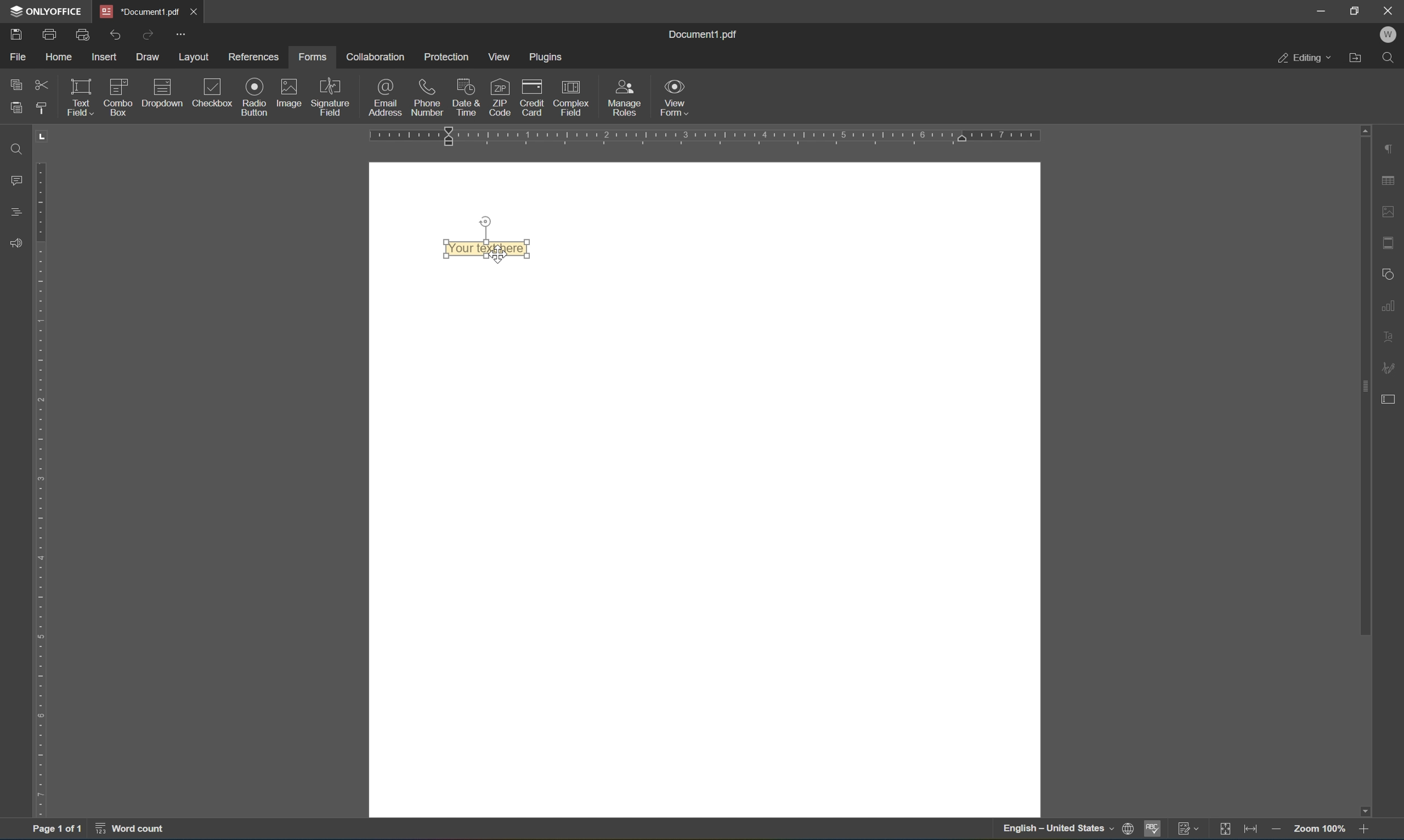 Image resolution: width=1404 pixels, height=840 pixels. I want to click on spell checking, so click(1154, 829).